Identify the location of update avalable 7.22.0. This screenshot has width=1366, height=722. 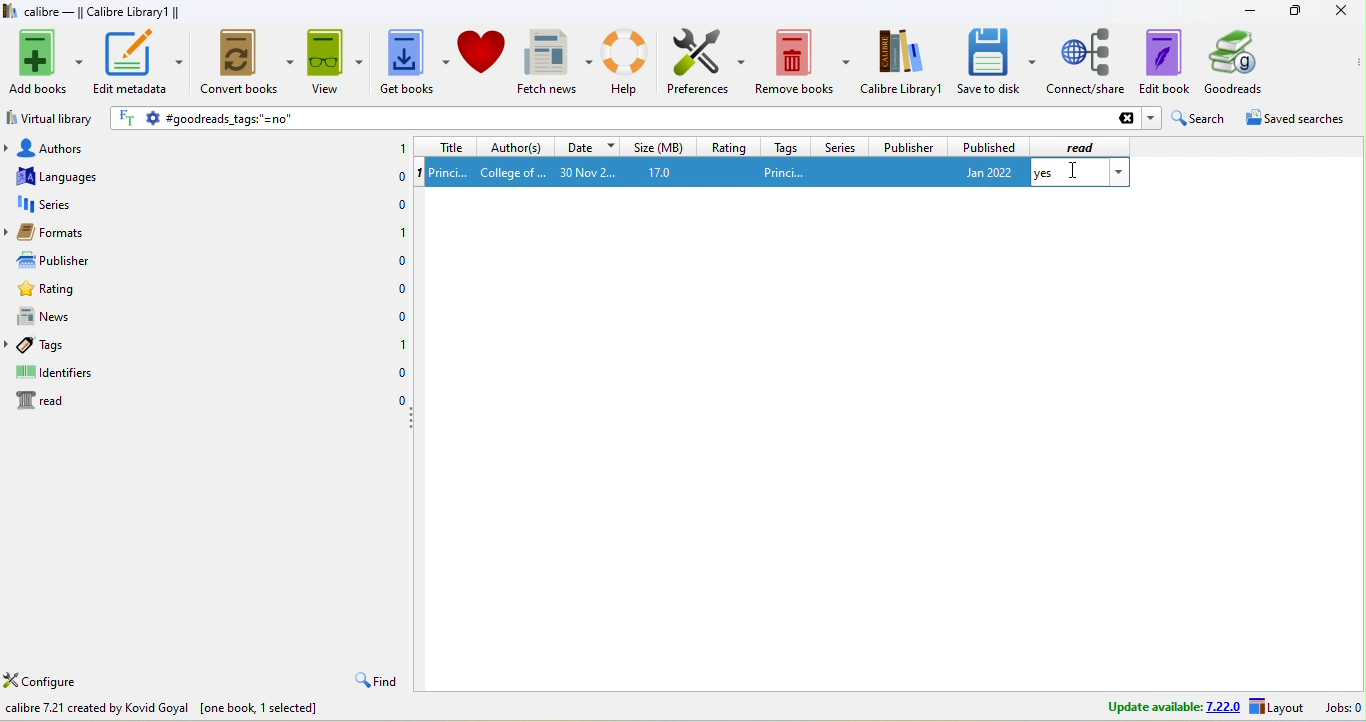
(1168, 707).